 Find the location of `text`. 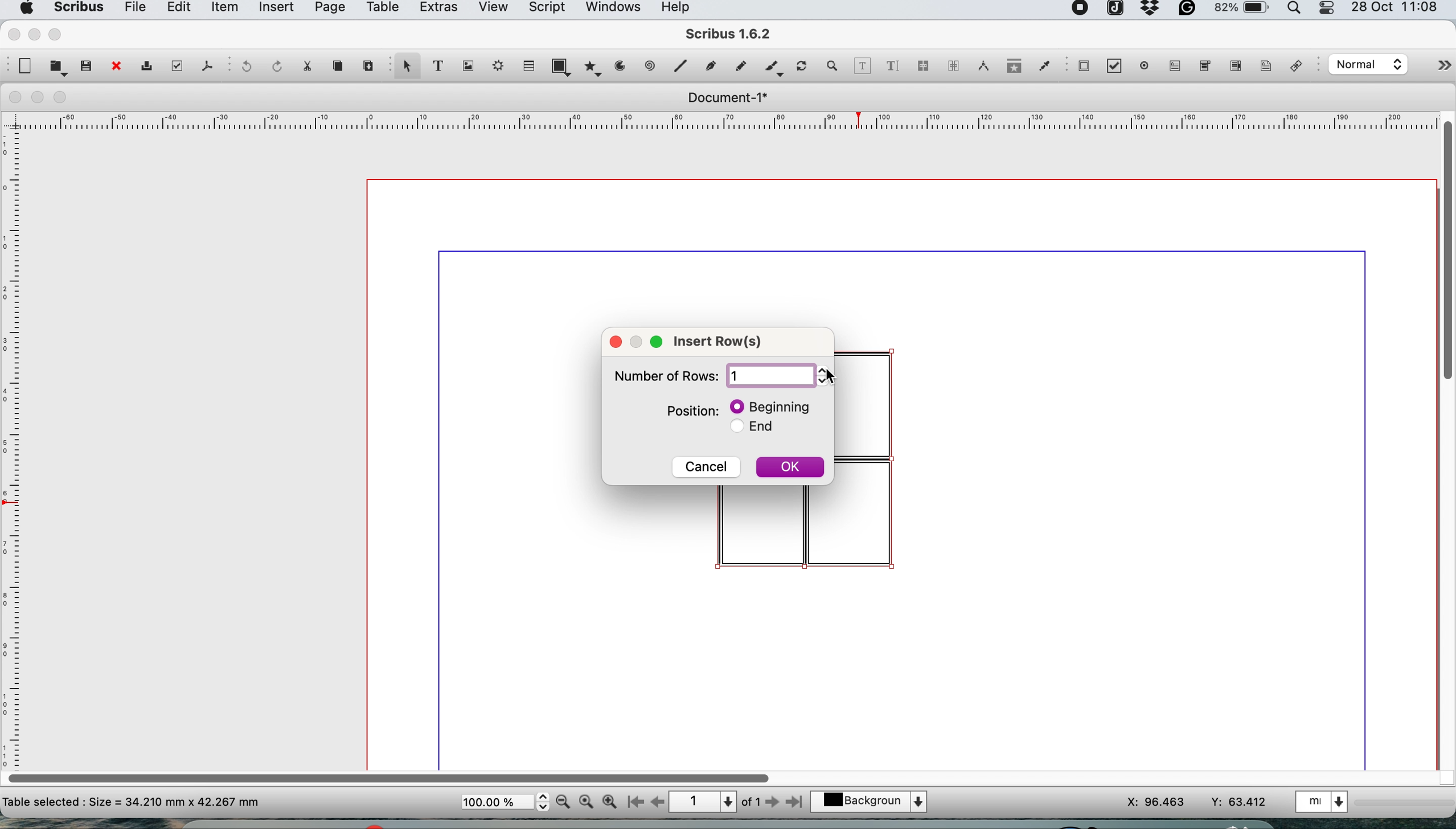

text is located at coordinates (132, 801).